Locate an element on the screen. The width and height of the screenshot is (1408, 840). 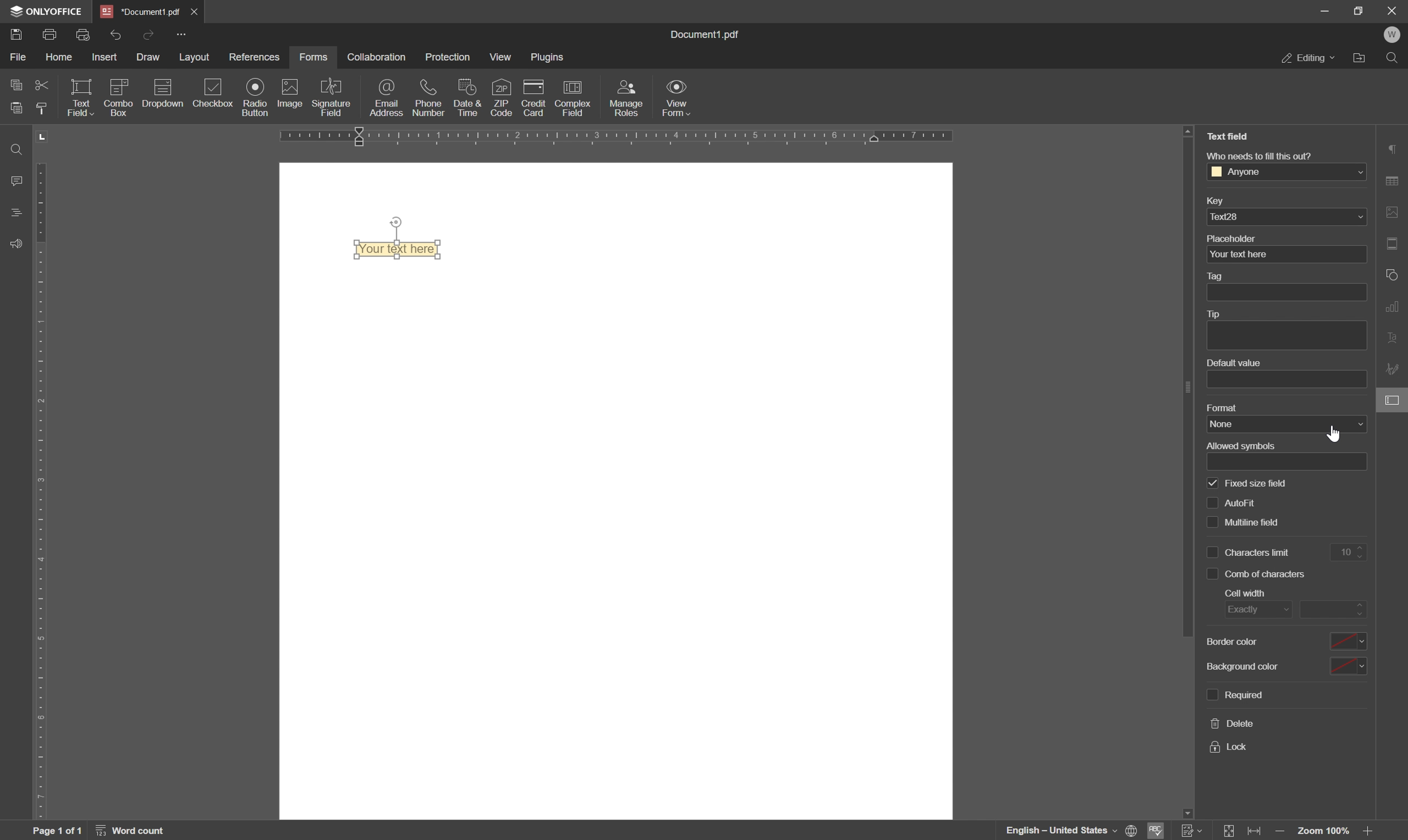
tag is located at coordinates (1213, 276).